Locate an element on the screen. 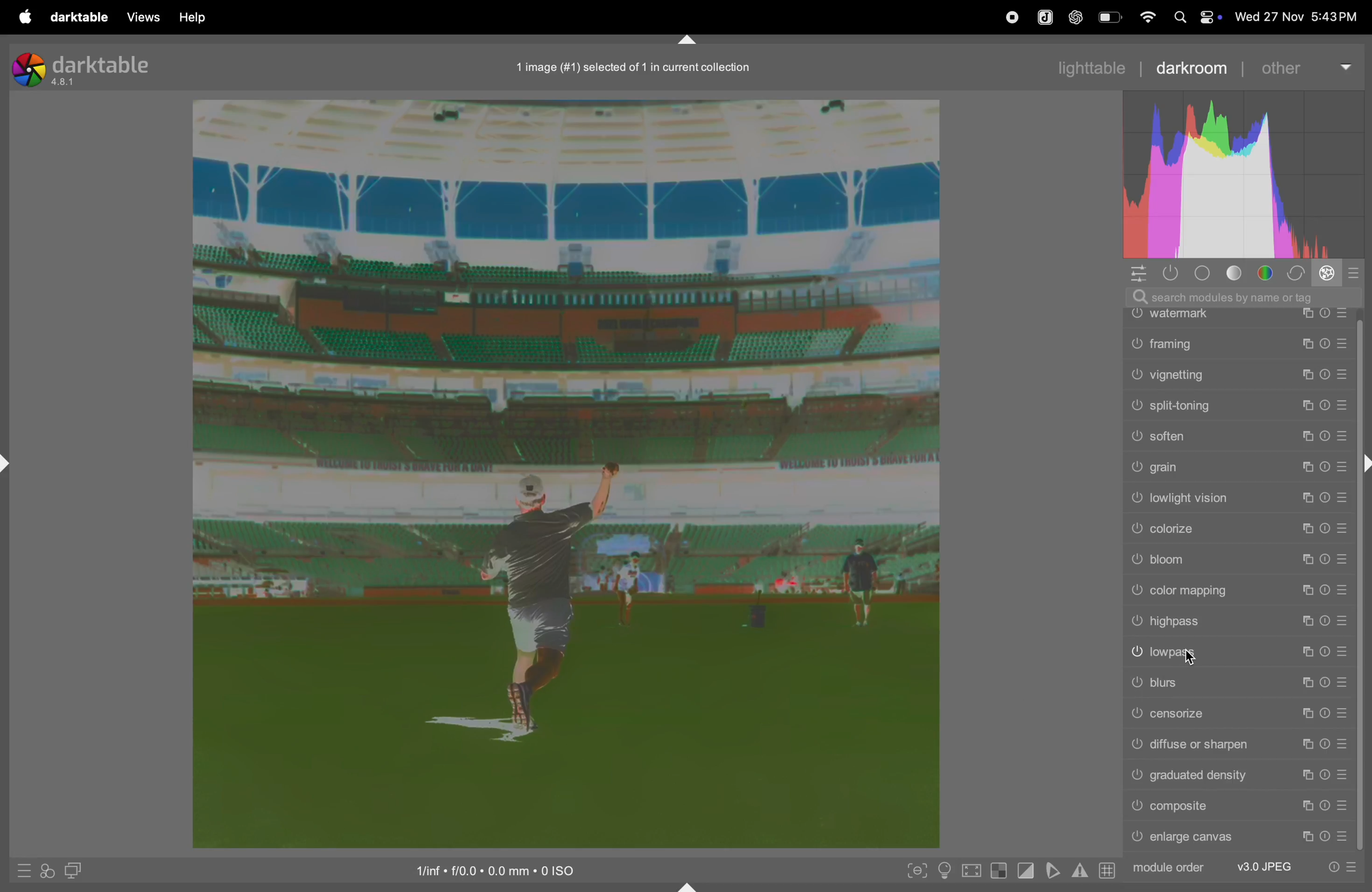  spotlight search is located at coordinates (1176, 17).